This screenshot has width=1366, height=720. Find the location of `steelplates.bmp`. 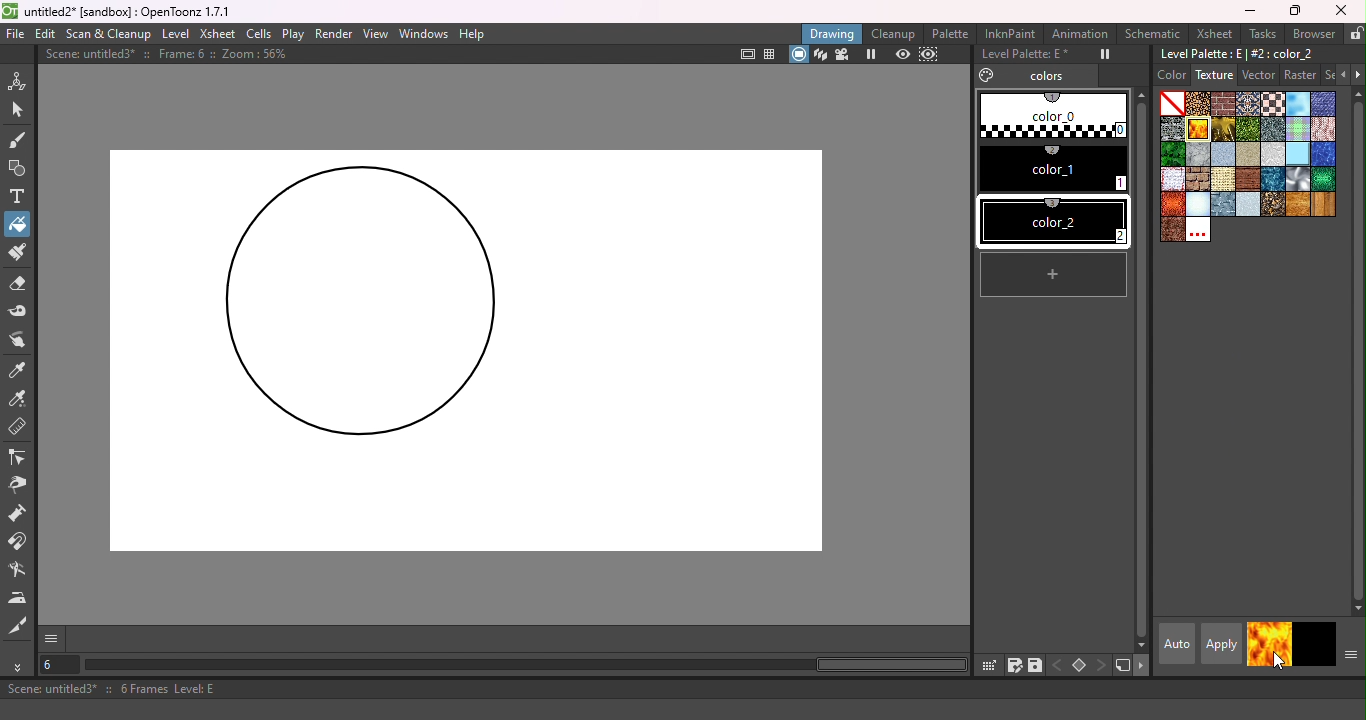

steelplates.bmp is located at coordinates (1224, 205).